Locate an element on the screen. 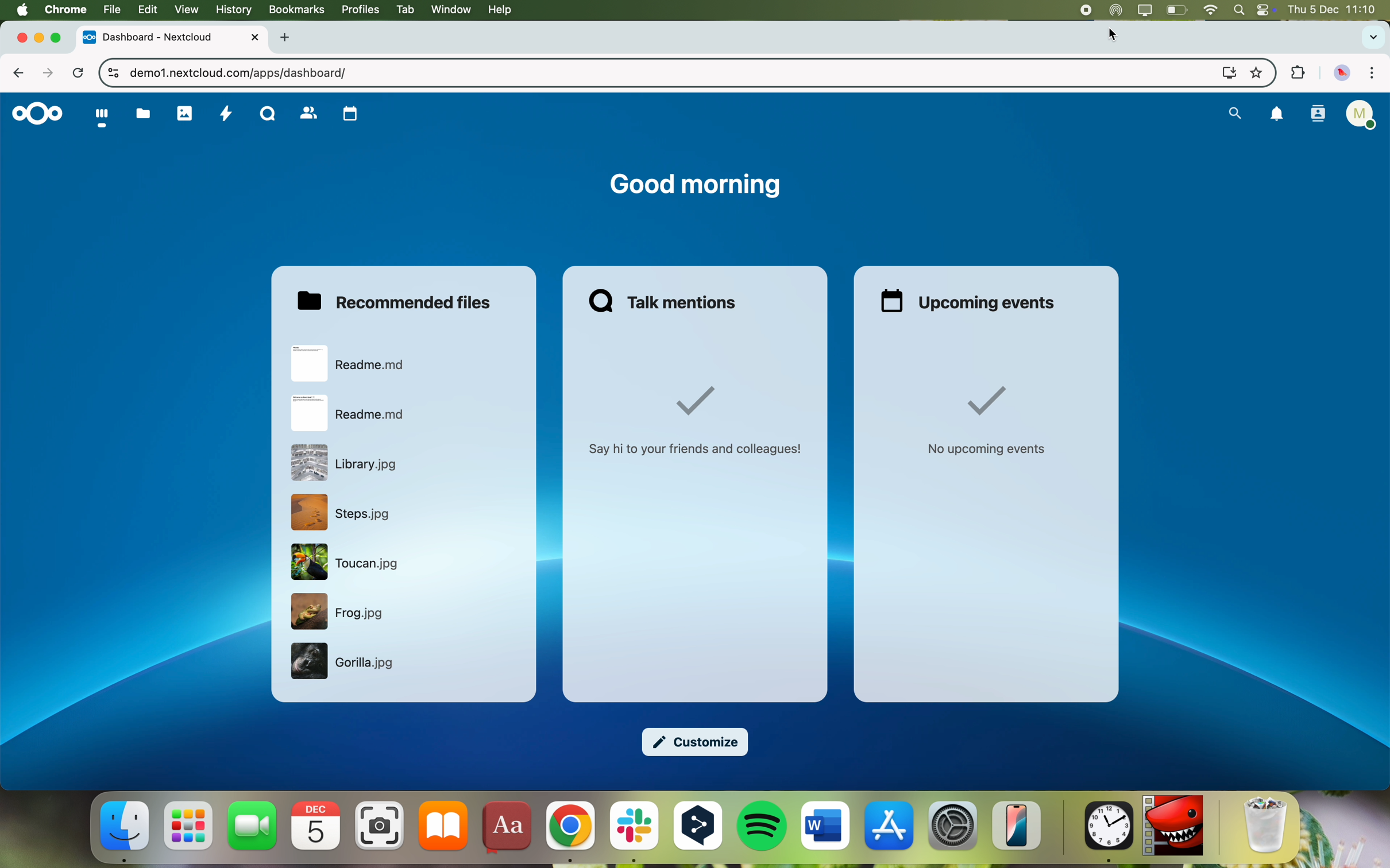 Image resolution: width=1390 pixels, height=868 pixels. upcoming events is located at coordinates (970, 301).